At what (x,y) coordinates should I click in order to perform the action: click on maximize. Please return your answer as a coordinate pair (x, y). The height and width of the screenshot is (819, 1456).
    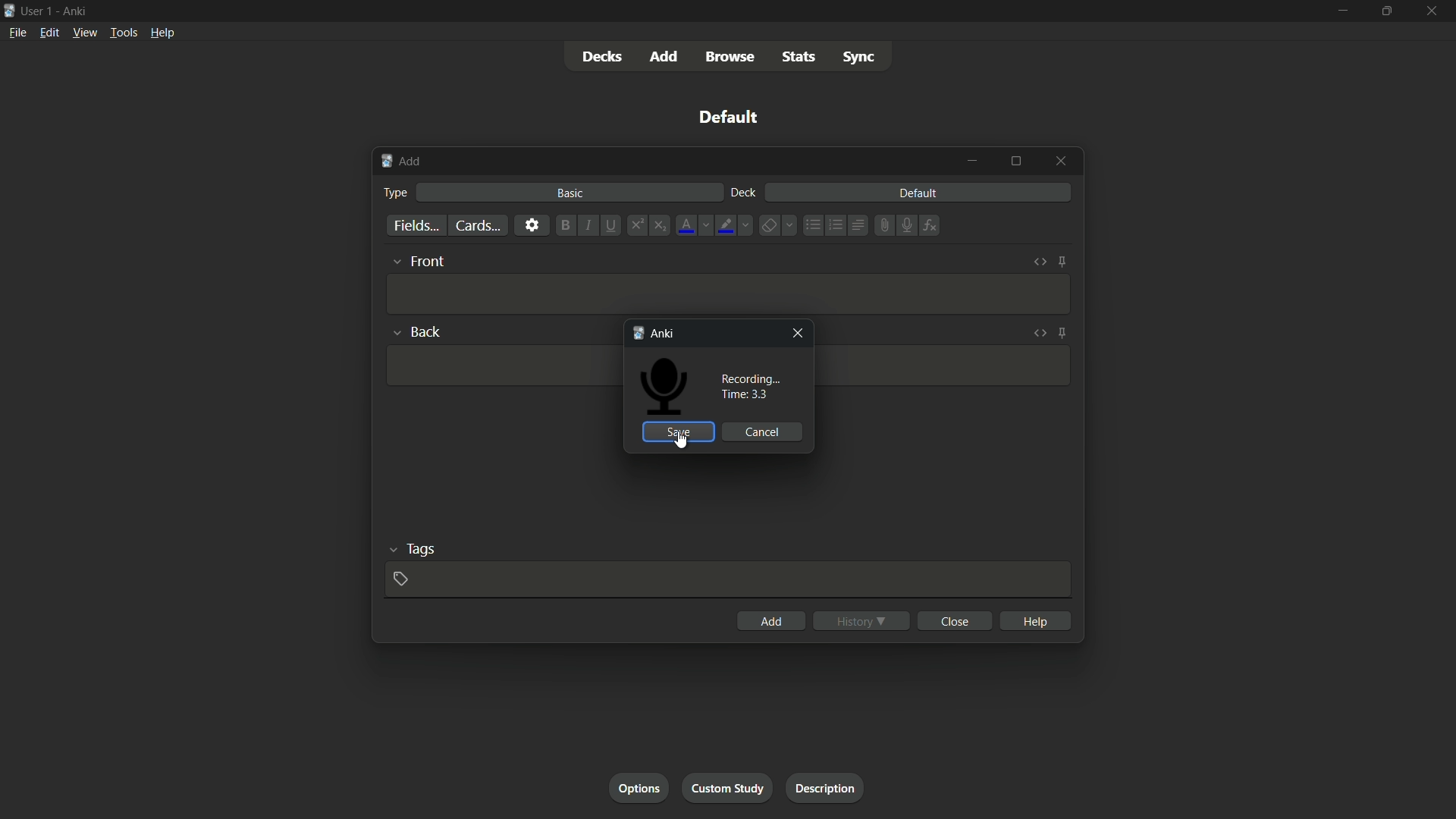
    Looking at the image, I should click on (1387, 11).